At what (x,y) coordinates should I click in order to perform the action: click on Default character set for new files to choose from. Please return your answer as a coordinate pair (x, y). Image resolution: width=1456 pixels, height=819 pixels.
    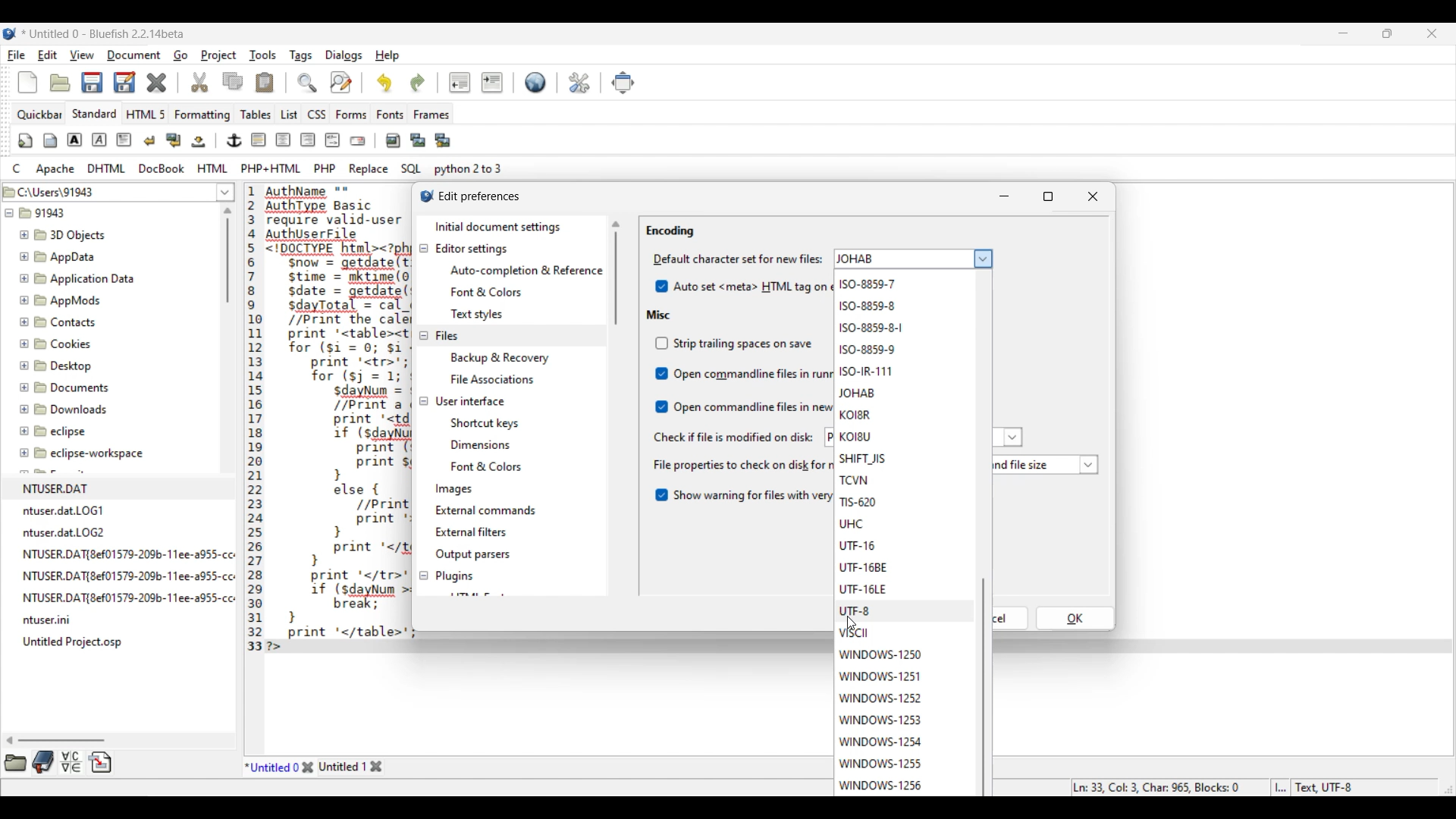
    Looking at the image, I should click on (913, 522).